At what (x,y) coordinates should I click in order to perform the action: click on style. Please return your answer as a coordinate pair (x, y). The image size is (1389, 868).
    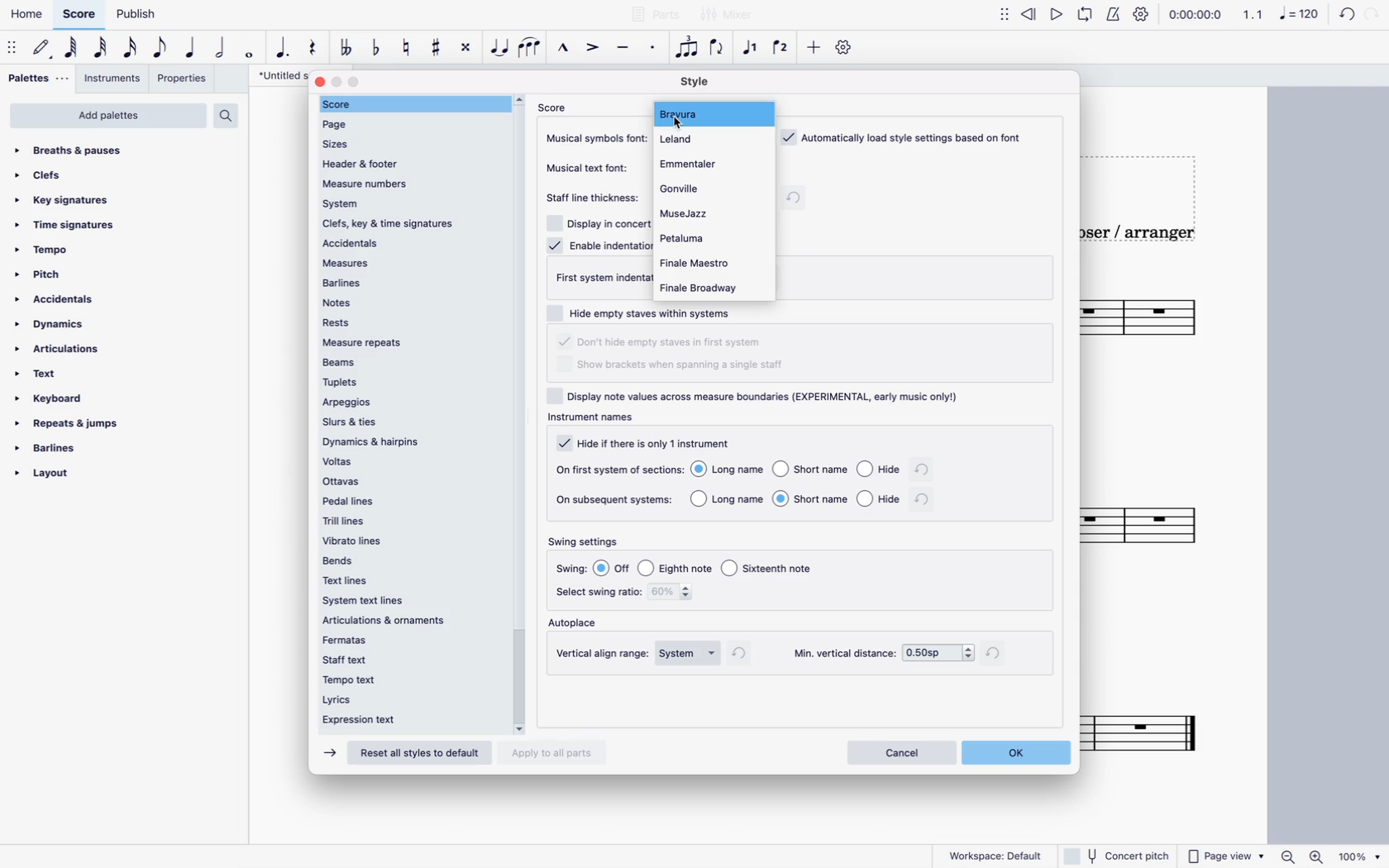
    Looking at the image, I should click on (702, 83).